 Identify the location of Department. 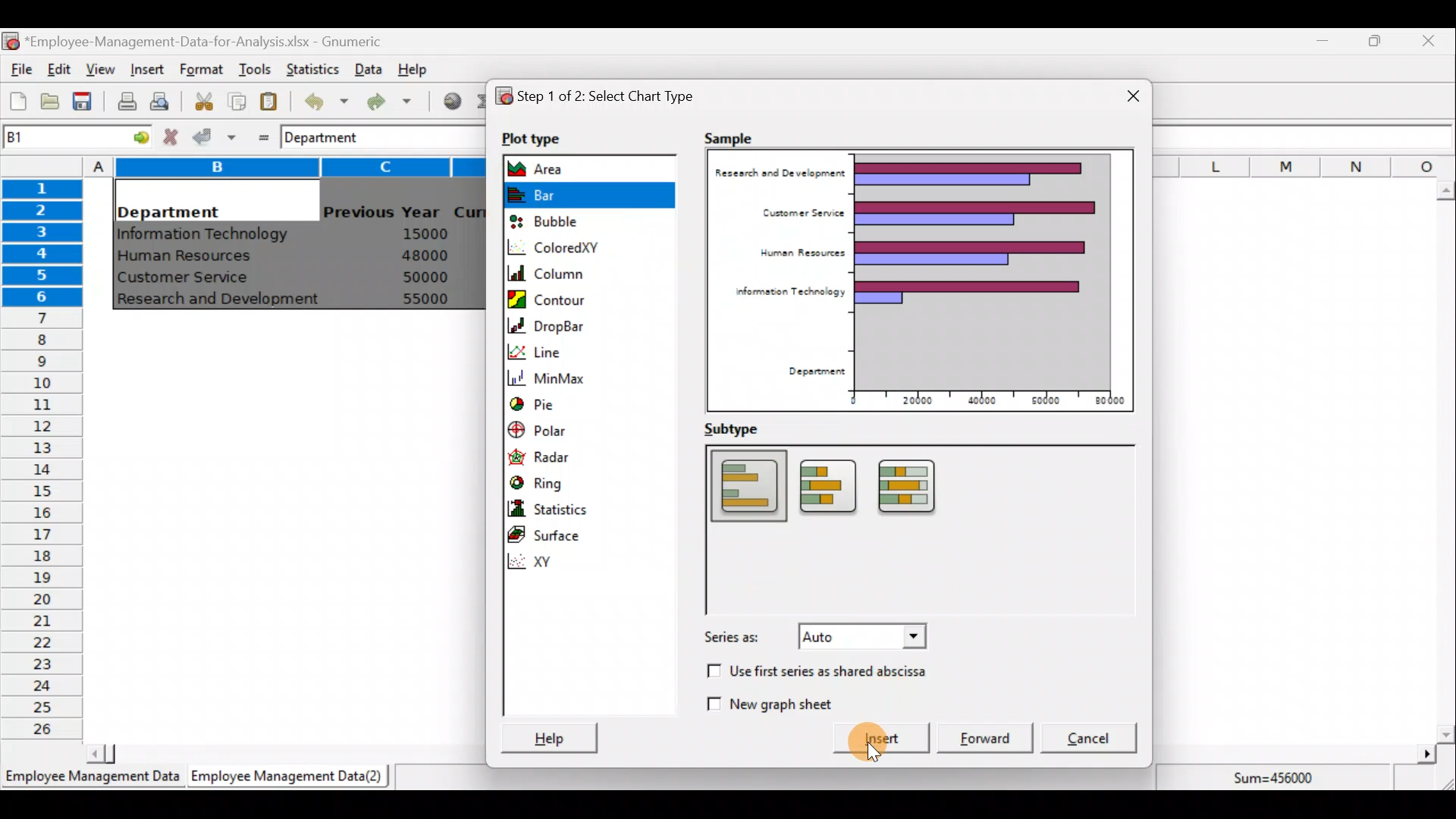
(168, 208).